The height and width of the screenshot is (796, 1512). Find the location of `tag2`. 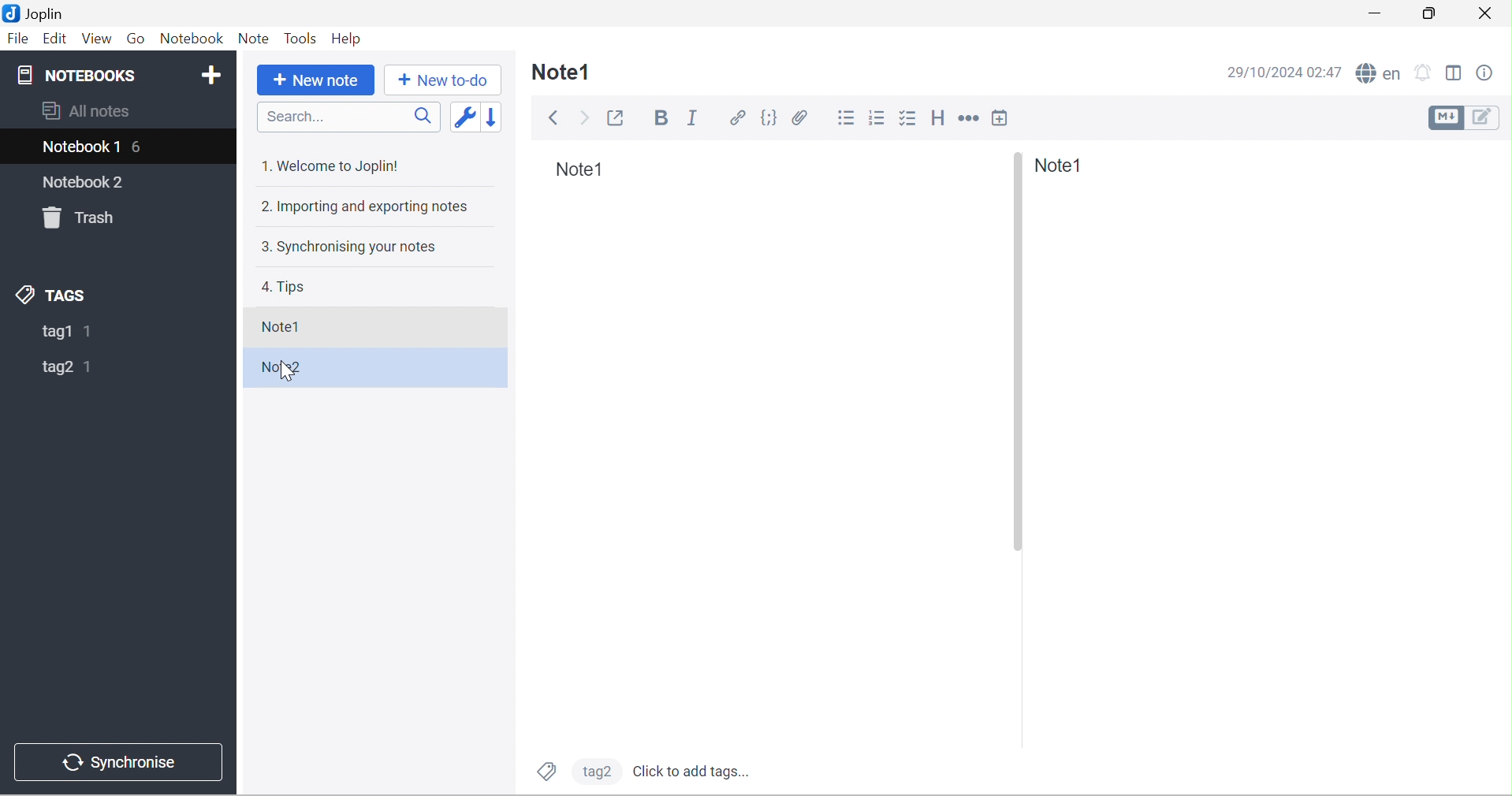

tag2 is located at coordinates (56, 370).